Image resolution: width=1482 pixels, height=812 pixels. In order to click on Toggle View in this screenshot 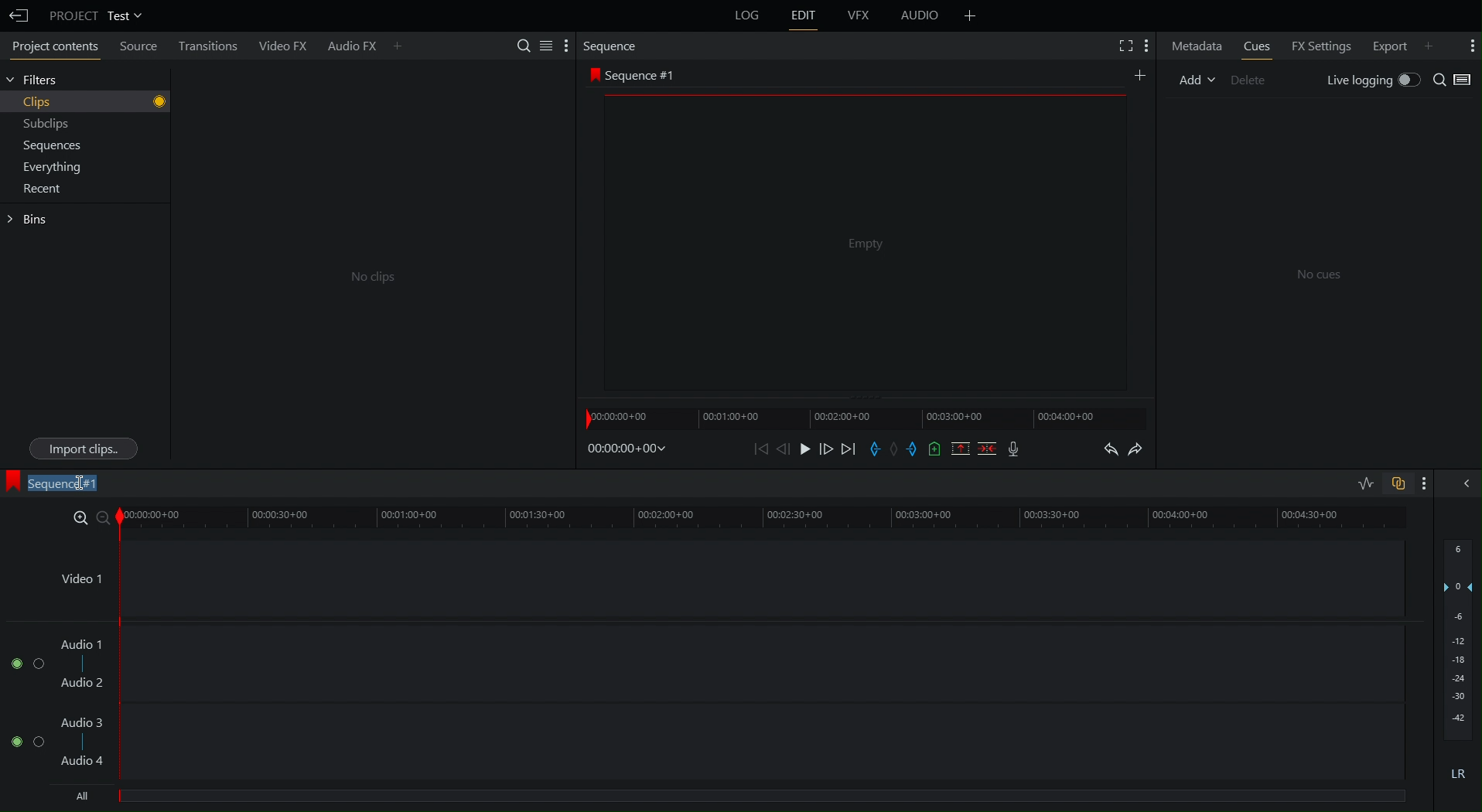, I will do `click(1469, 79)`.